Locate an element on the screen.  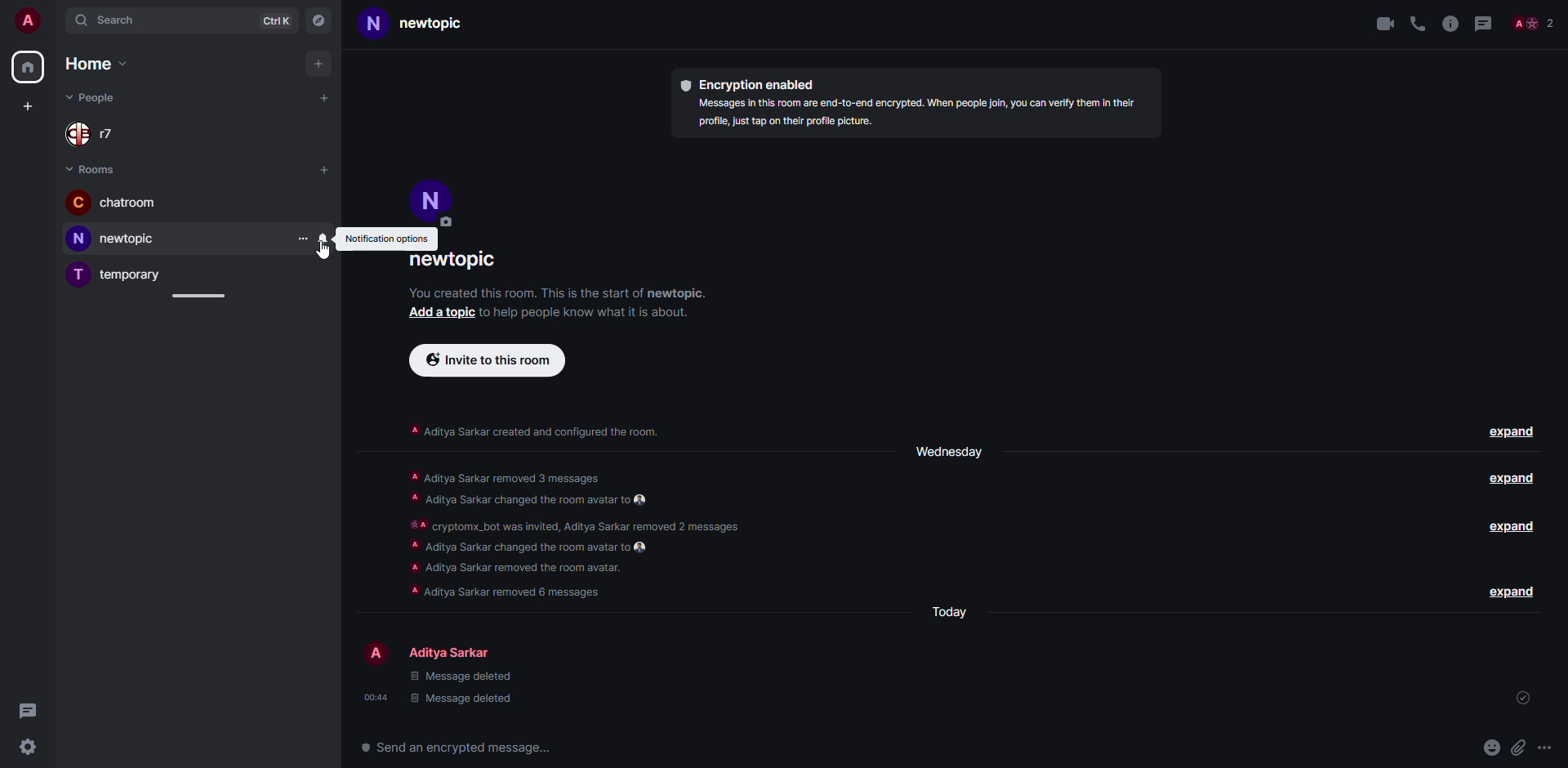
home is located at coordinates (29, 67).